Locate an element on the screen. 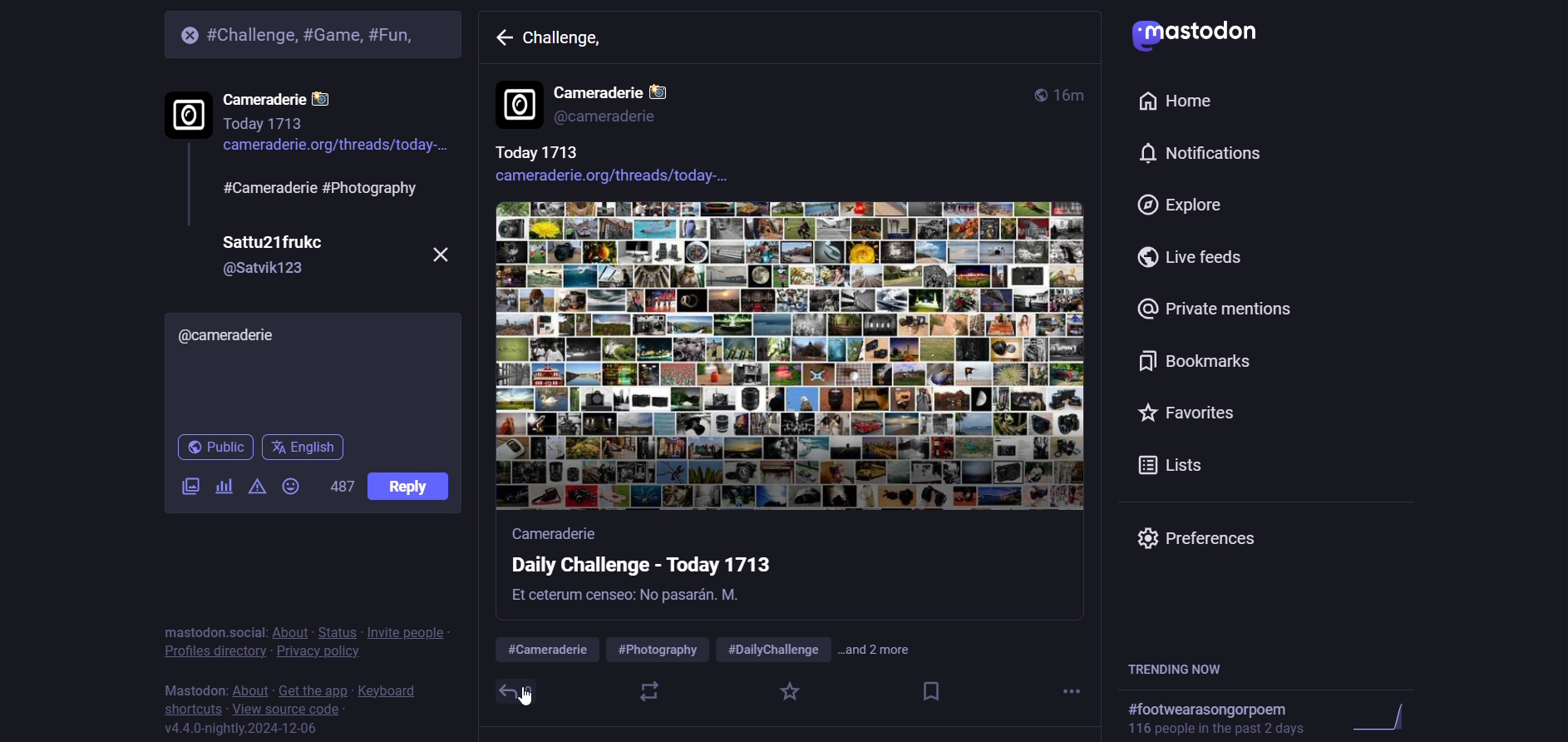  id is located at coordinates (268, 270).